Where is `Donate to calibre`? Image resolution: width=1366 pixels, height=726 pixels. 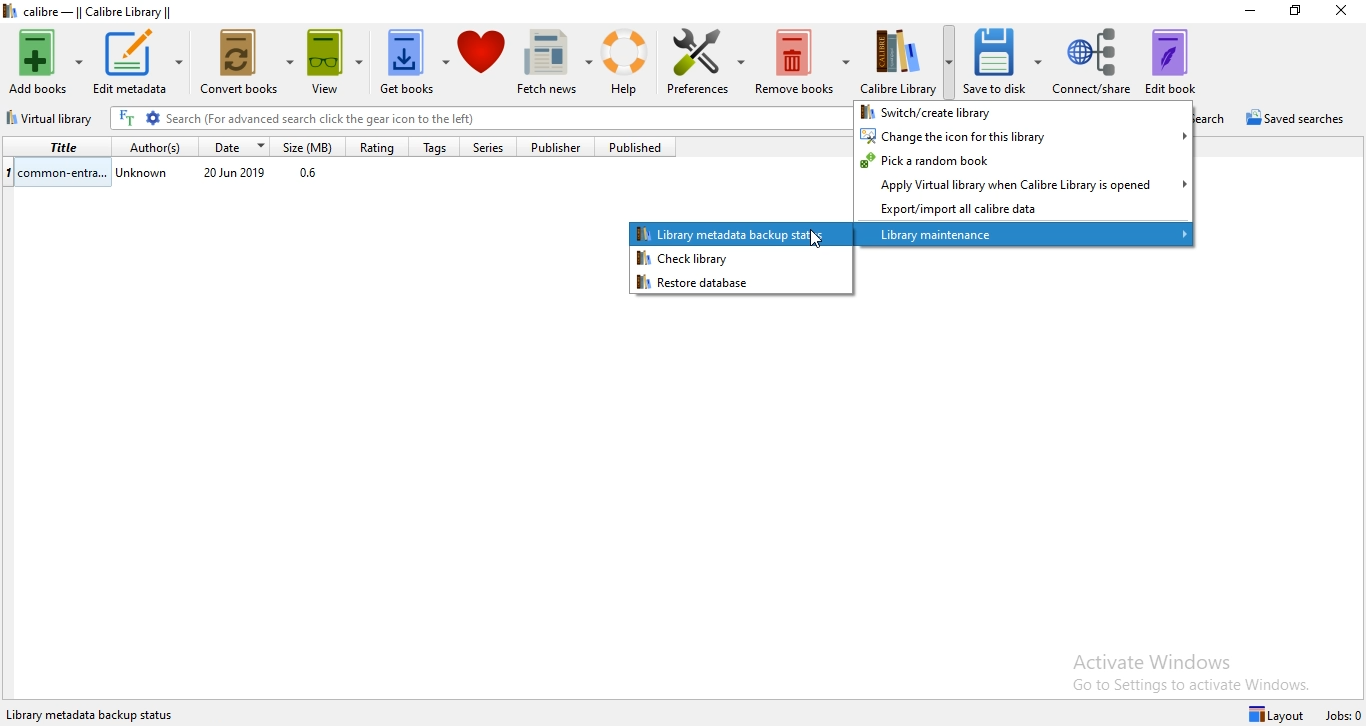 Donate to calibre is located at coordinates (484, 64).